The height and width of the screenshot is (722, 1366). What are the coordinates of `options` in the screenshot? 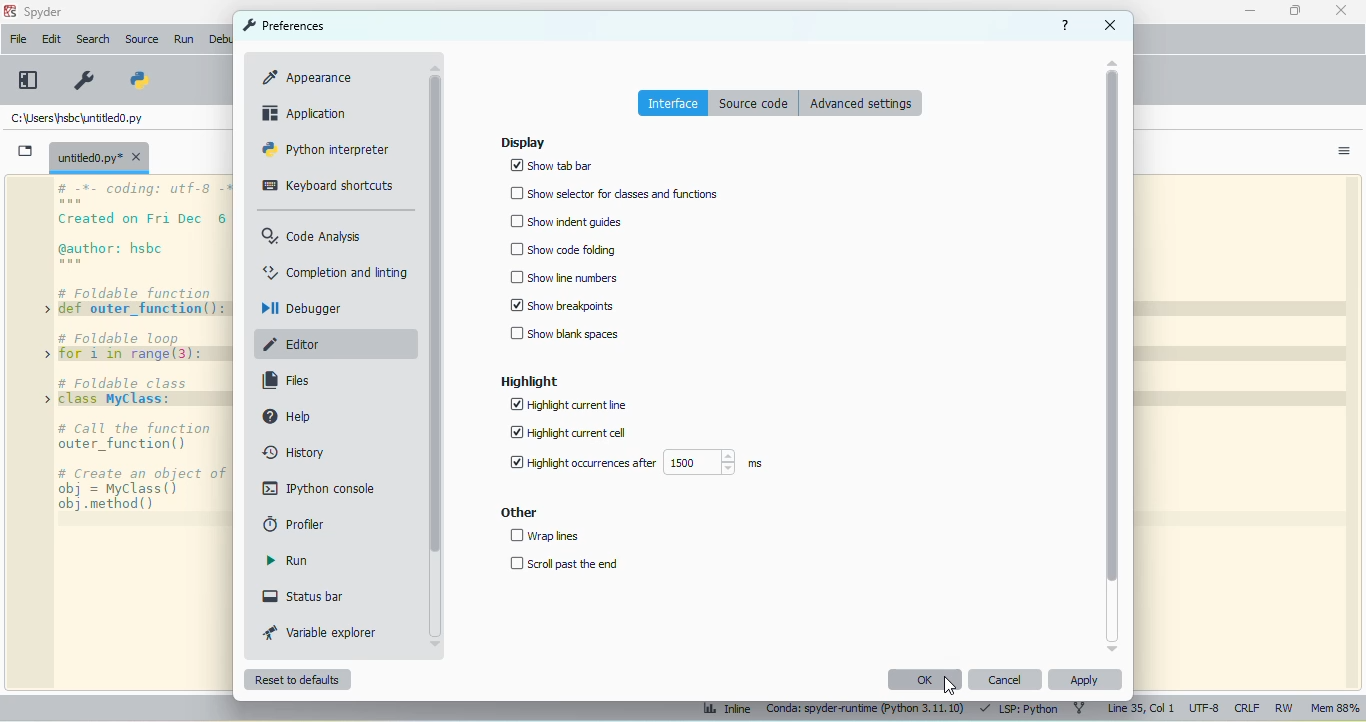 It's located at (1344, 152).